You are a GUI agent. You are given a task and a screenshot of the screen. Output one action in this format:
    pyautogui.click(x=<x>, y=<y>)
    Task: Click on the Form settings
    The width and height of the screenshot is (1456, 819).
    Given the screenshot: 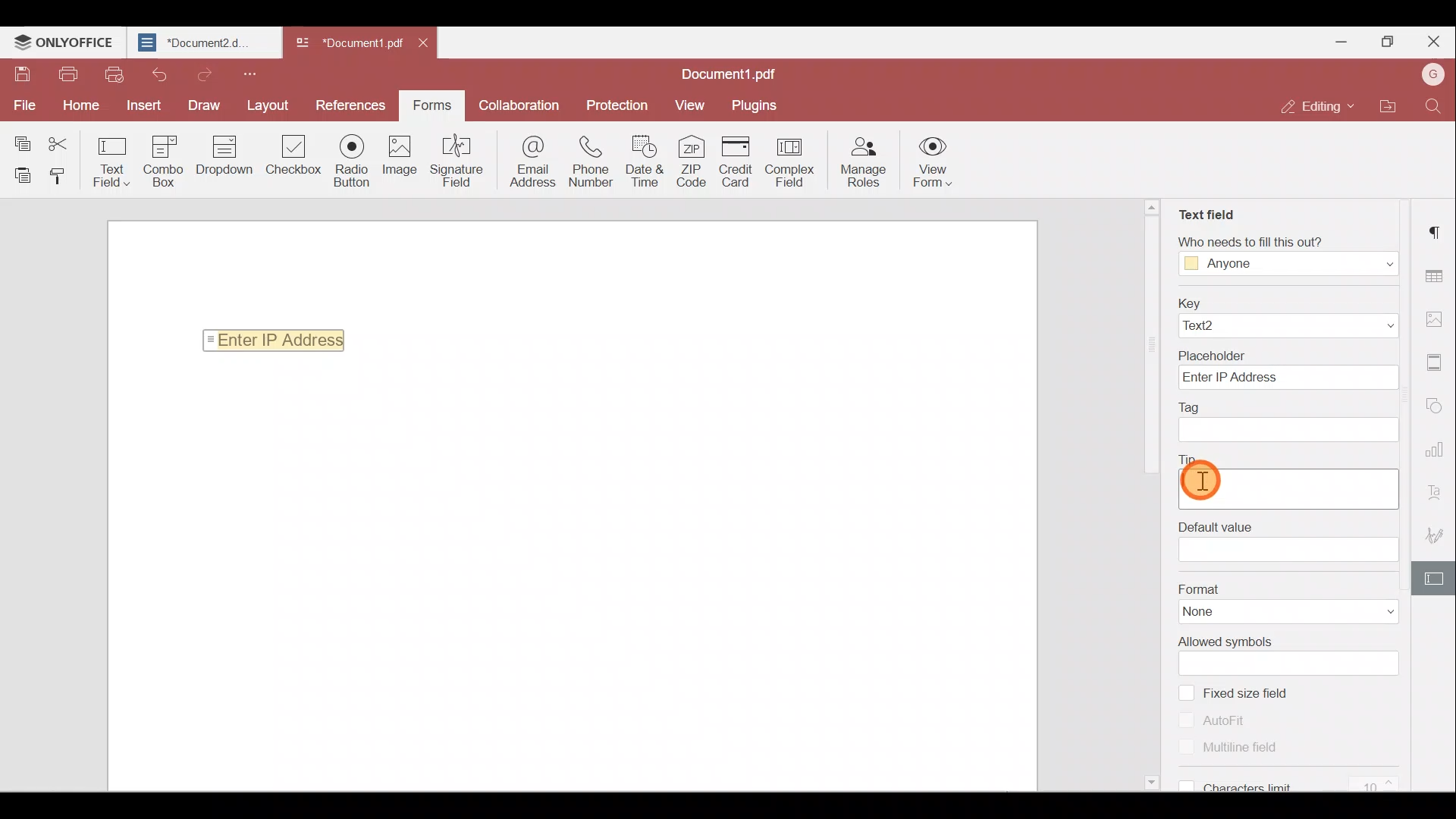 What is the action you would take?
    pyautogui.click(x=1437, y=577)
    